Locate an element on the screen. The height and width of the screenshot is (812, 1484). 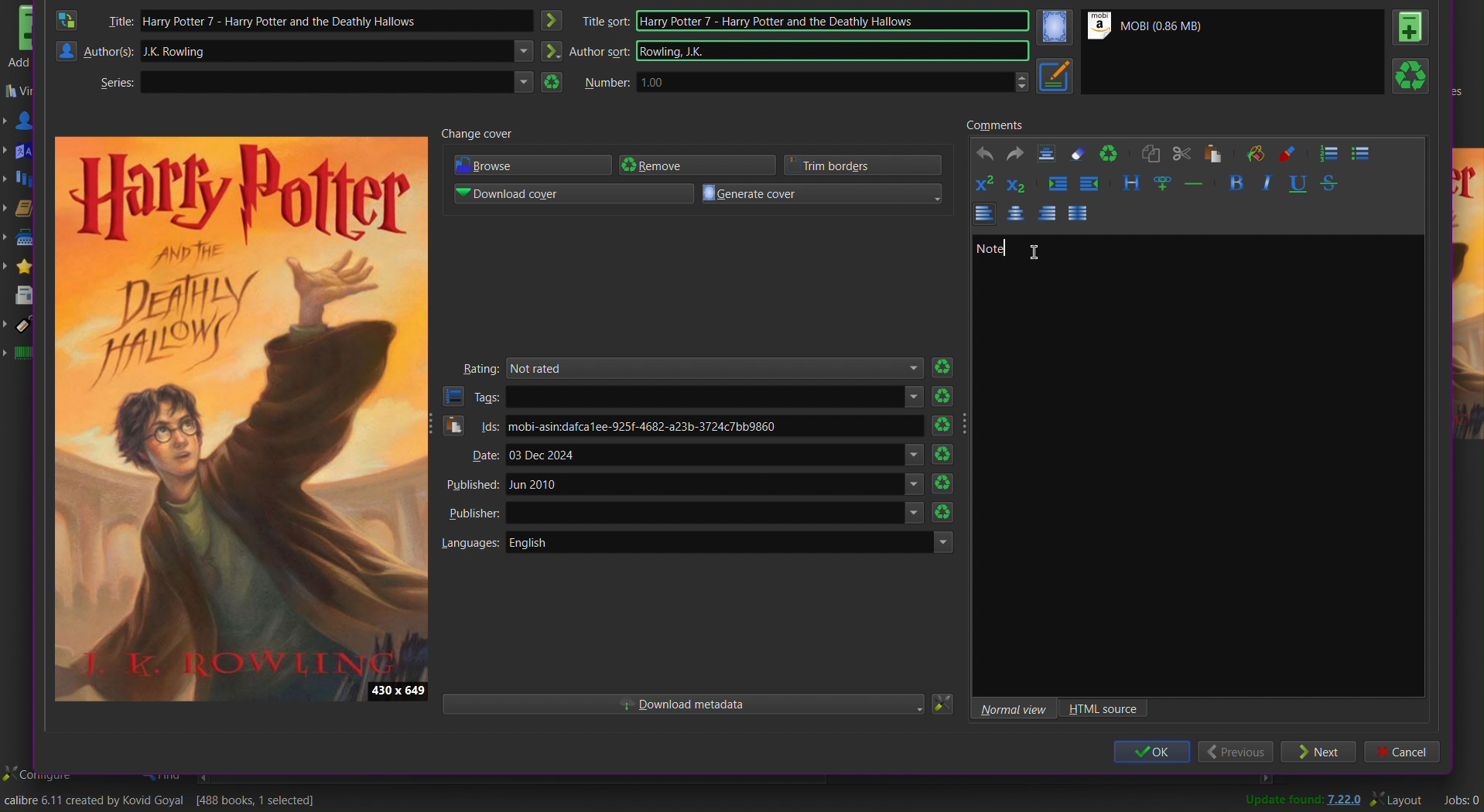
Insert link and image is located at coordinates (1163, 184).